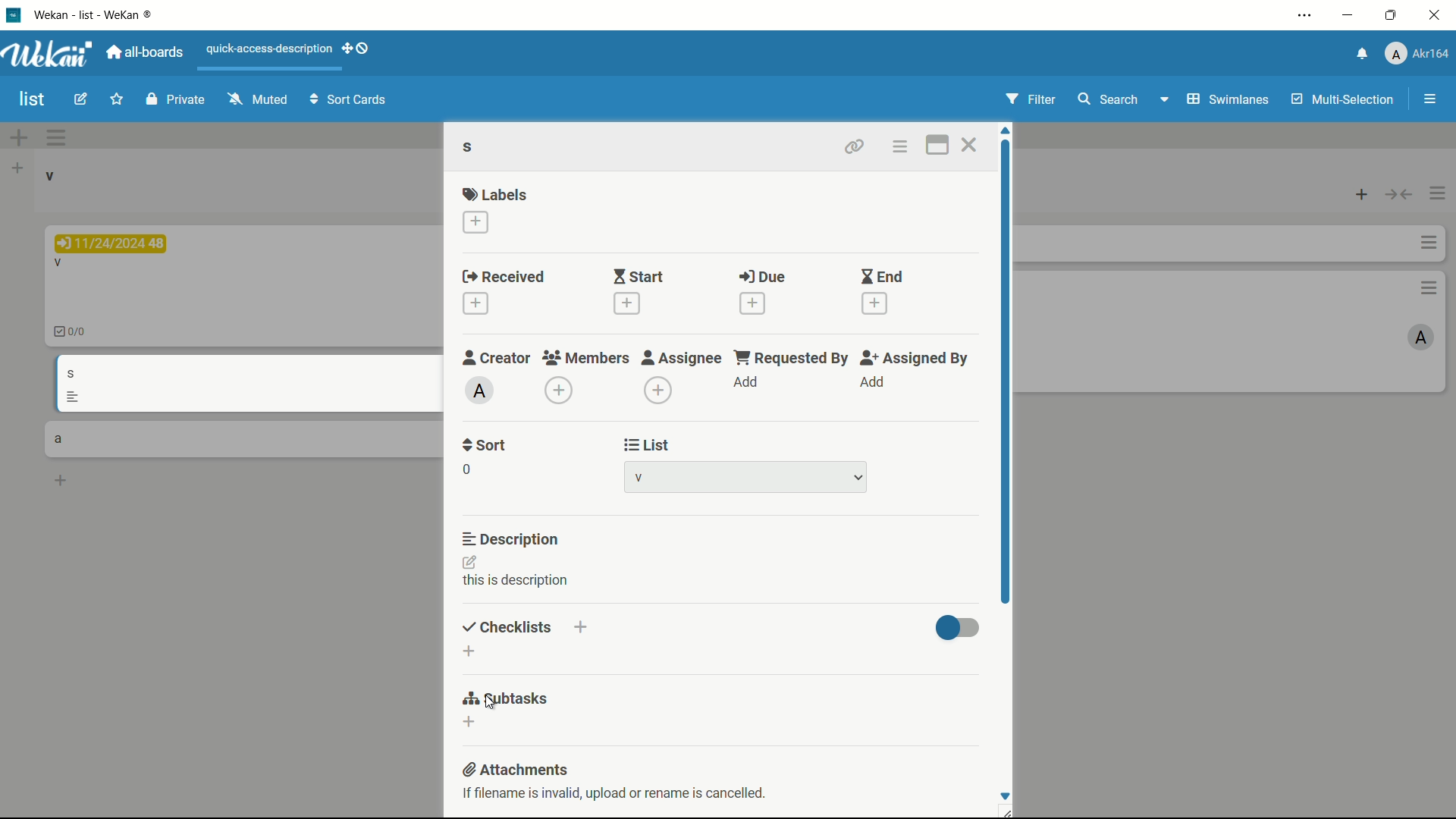  I want to click on checklists, so click(502, 626).